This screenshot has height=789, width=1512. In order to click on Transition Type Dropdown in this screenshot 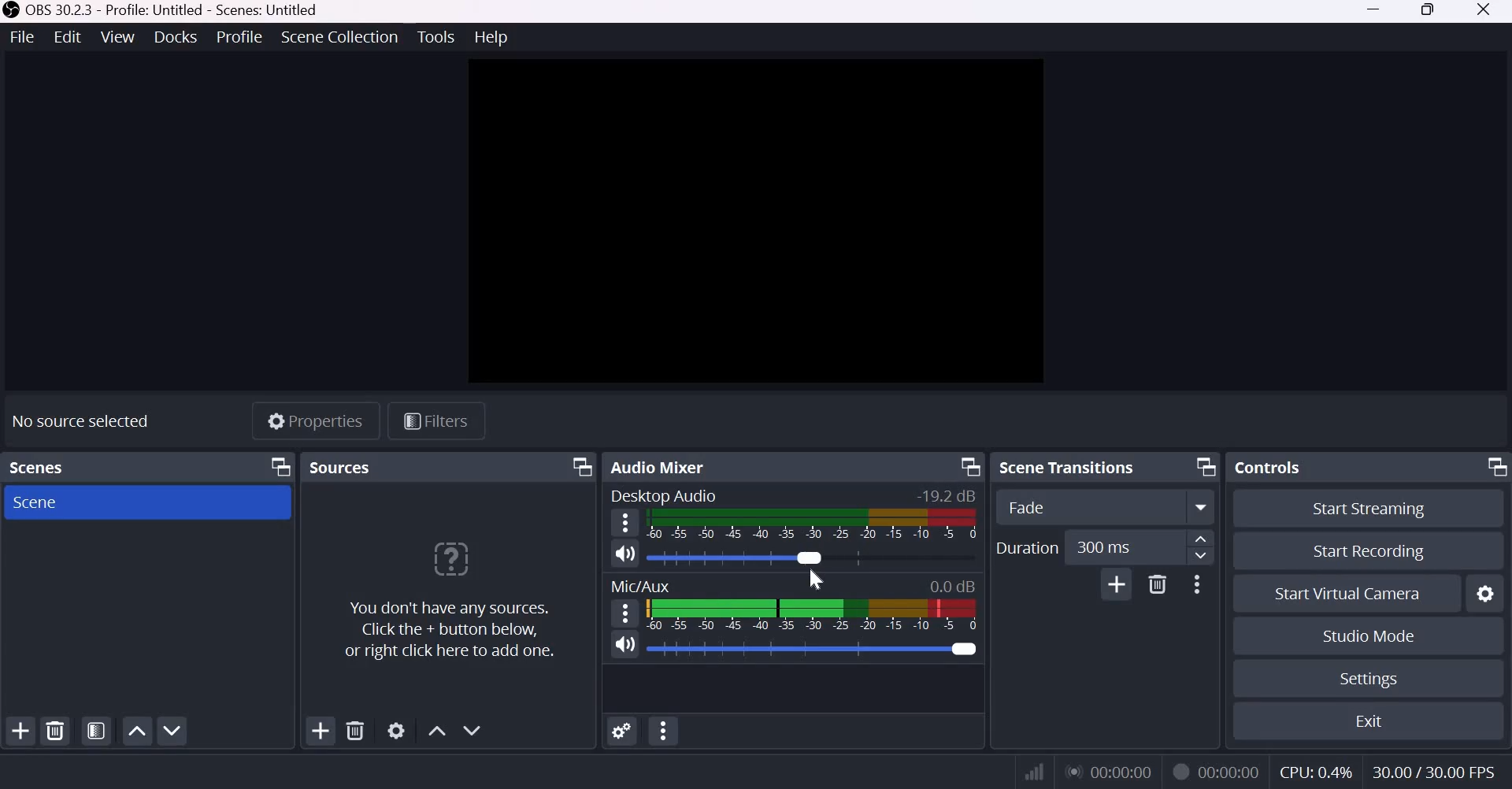, I will do `click(1089, 506)`.